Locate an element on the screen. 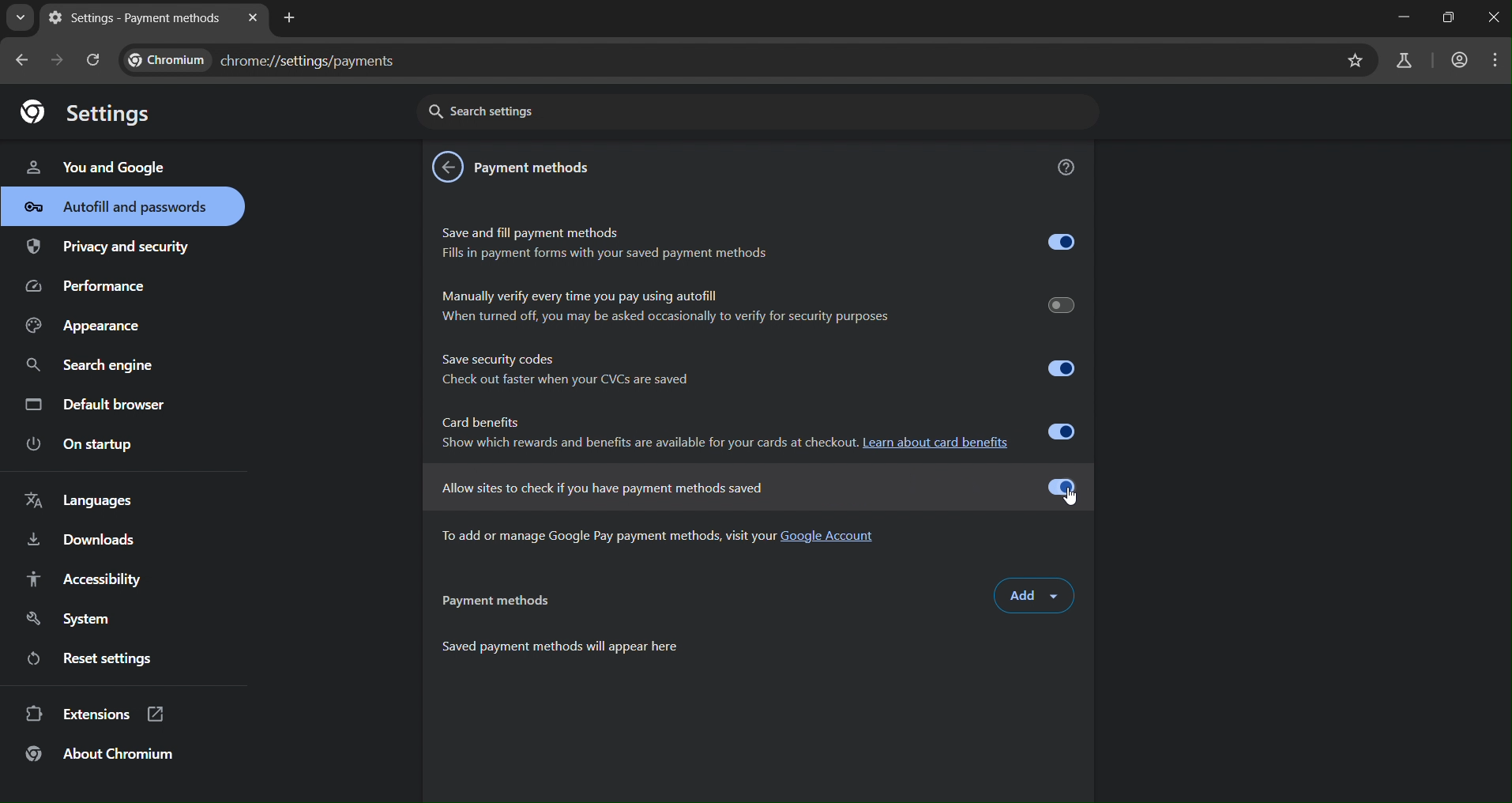  cursor is located at coordinates (1066, 496).